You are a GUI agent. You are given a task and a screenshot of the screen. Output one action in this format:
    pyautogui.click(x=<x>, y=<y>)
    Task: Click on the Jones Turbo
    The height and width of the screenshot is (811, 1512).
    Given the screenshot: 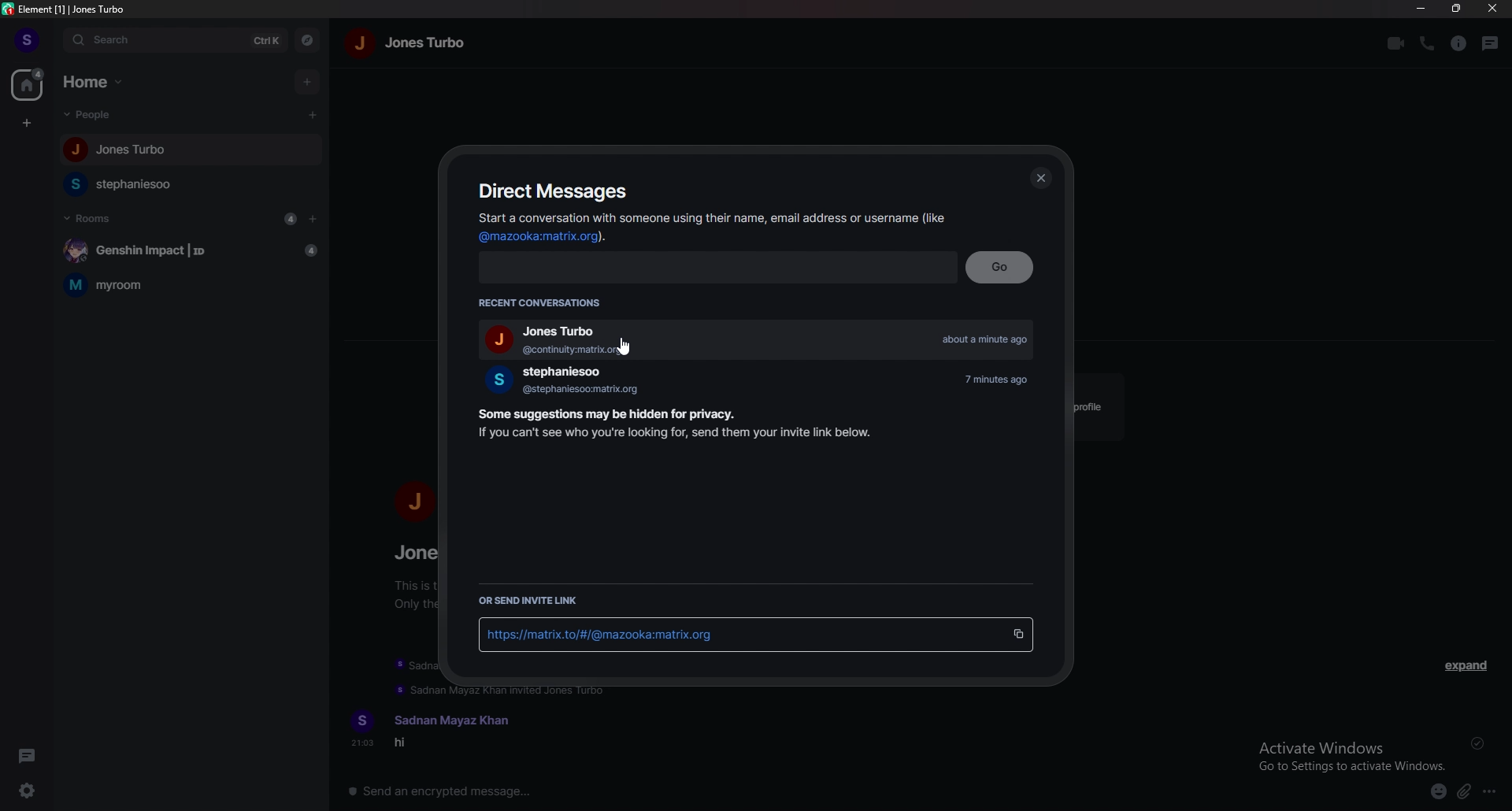 What is the action you would take?
    pyautogui.click(x=116, y=152)
    